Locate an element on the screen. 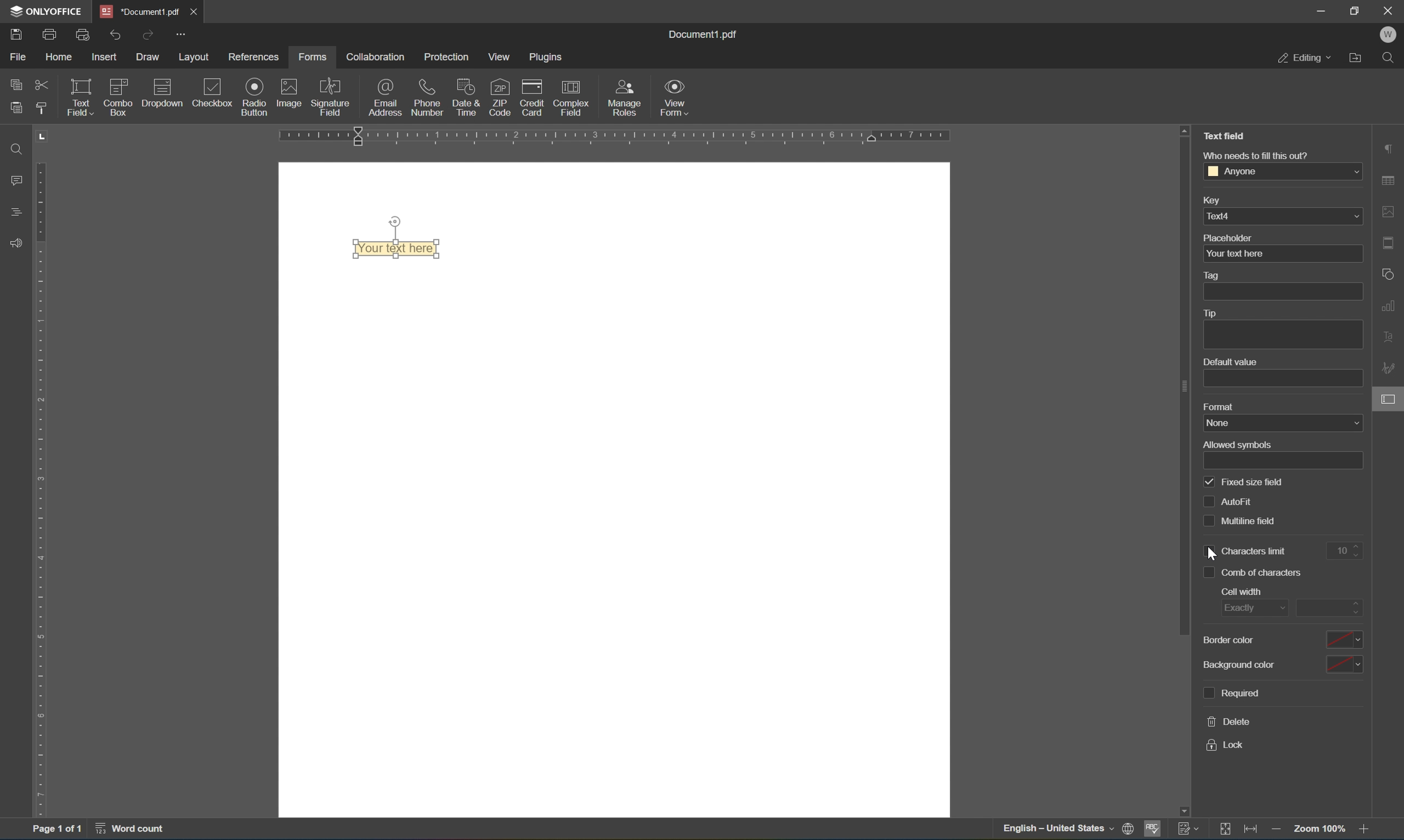  checkbox is located at coordinates (1206, 569).